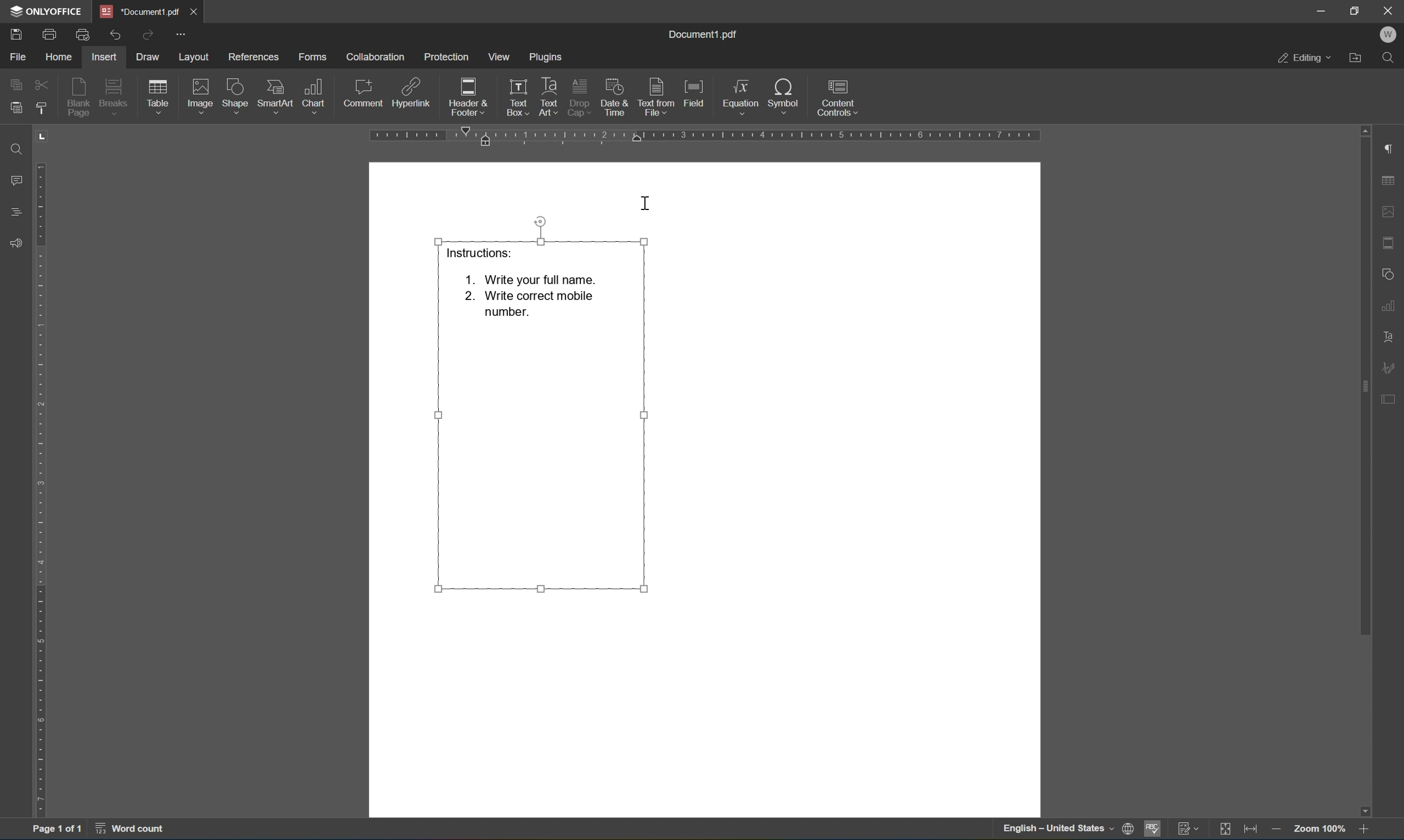  What do you see at coordinates (787, 98) in the screenshot?
I see `symbol` at bounding box center [787, 98].